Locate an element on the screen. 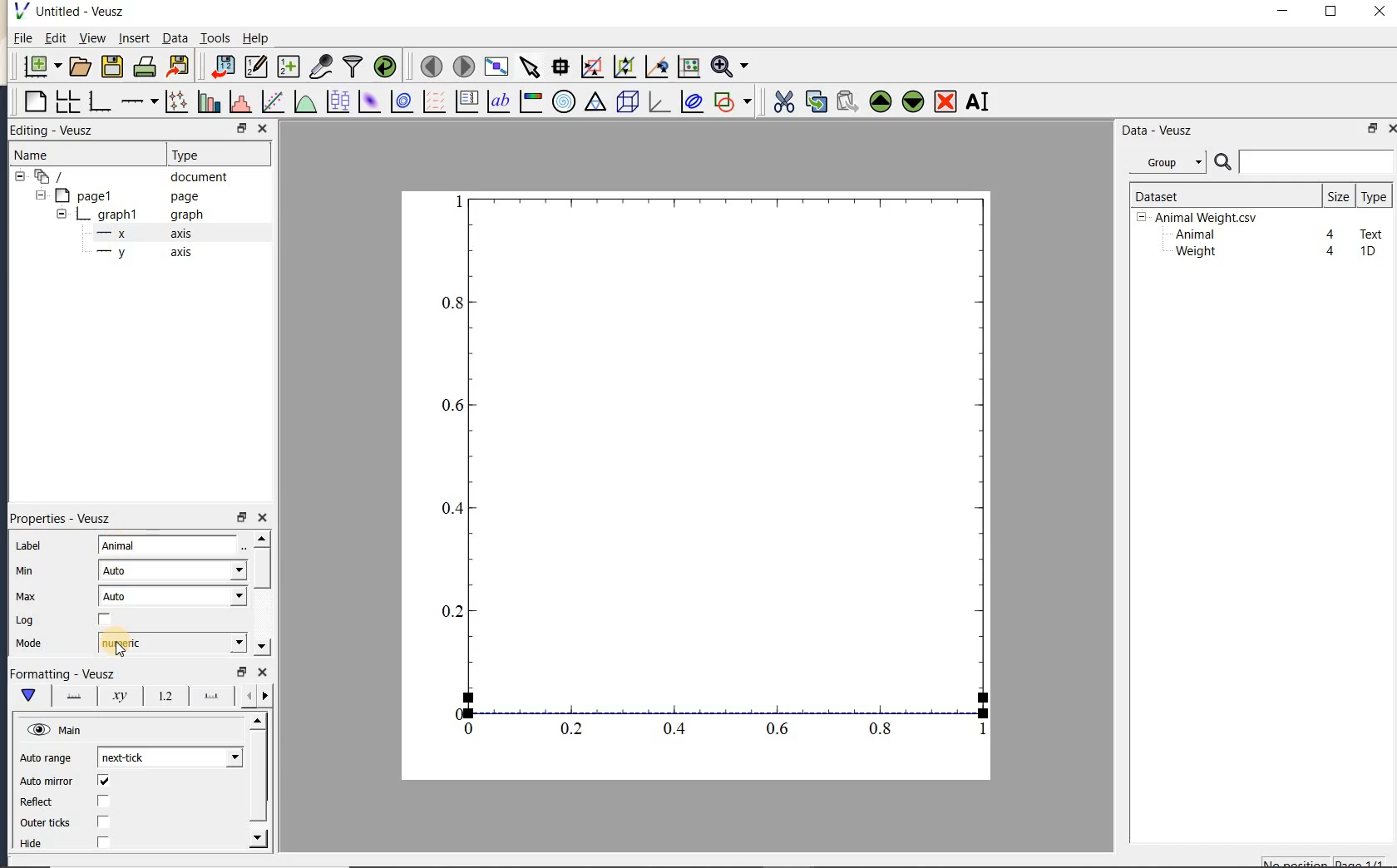 This screenshot has width=1397, height=868. 4 is located at coordinates (1331, 252).